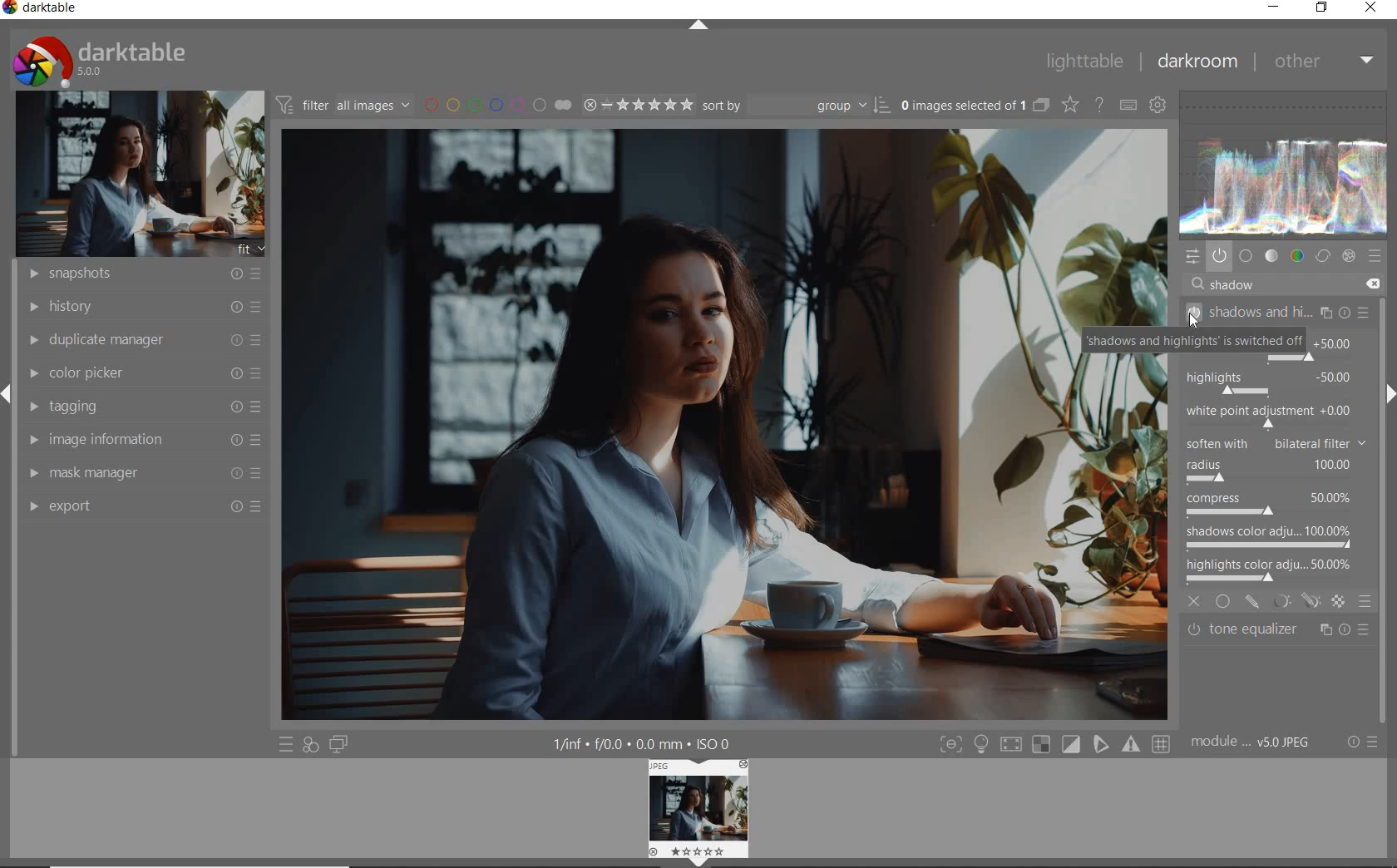 The width and height of the screenshot is (1397, 868). What do you see at coordinates (1268, 471) in the screenshot?
I see `radius` at bounding box center [1268, 471].